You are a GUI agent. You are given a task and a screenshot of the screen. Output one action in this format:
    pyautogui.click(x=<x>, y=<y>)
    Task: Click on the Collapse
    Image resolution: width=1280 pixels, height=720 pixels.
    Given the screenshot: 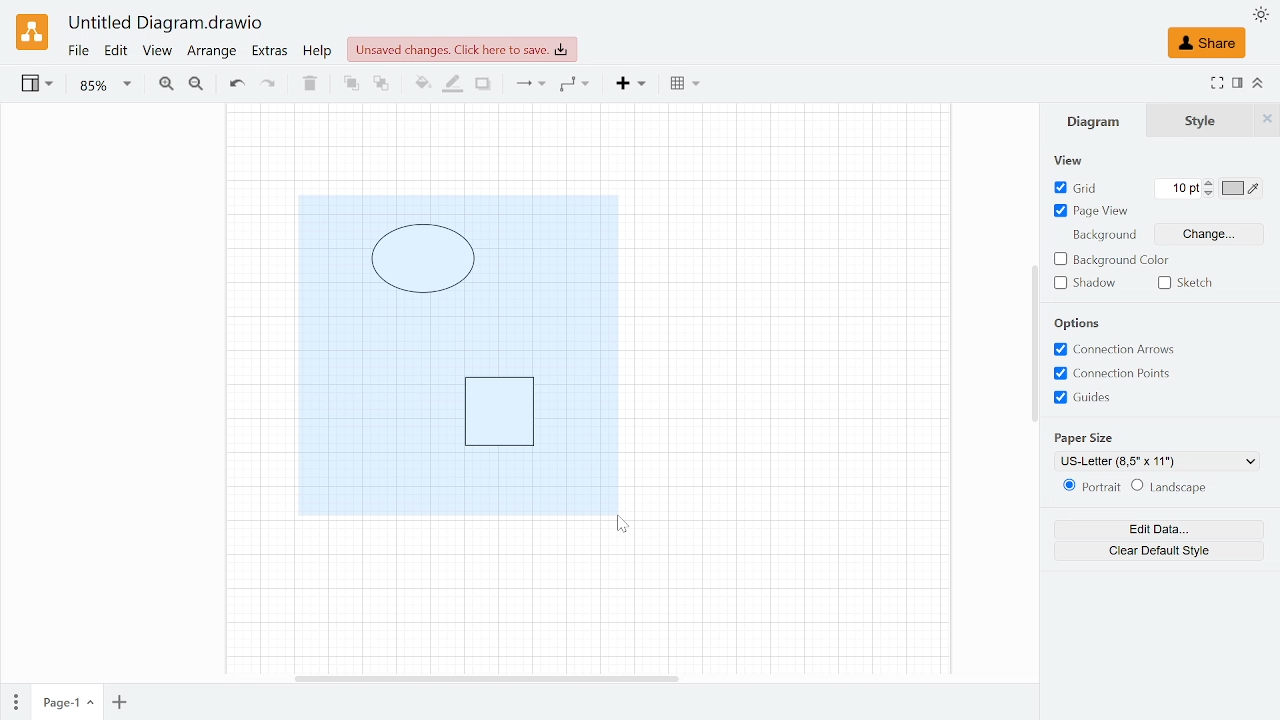 What is the action you would take?
    pyautogui.click(x=1259, y=82)
    